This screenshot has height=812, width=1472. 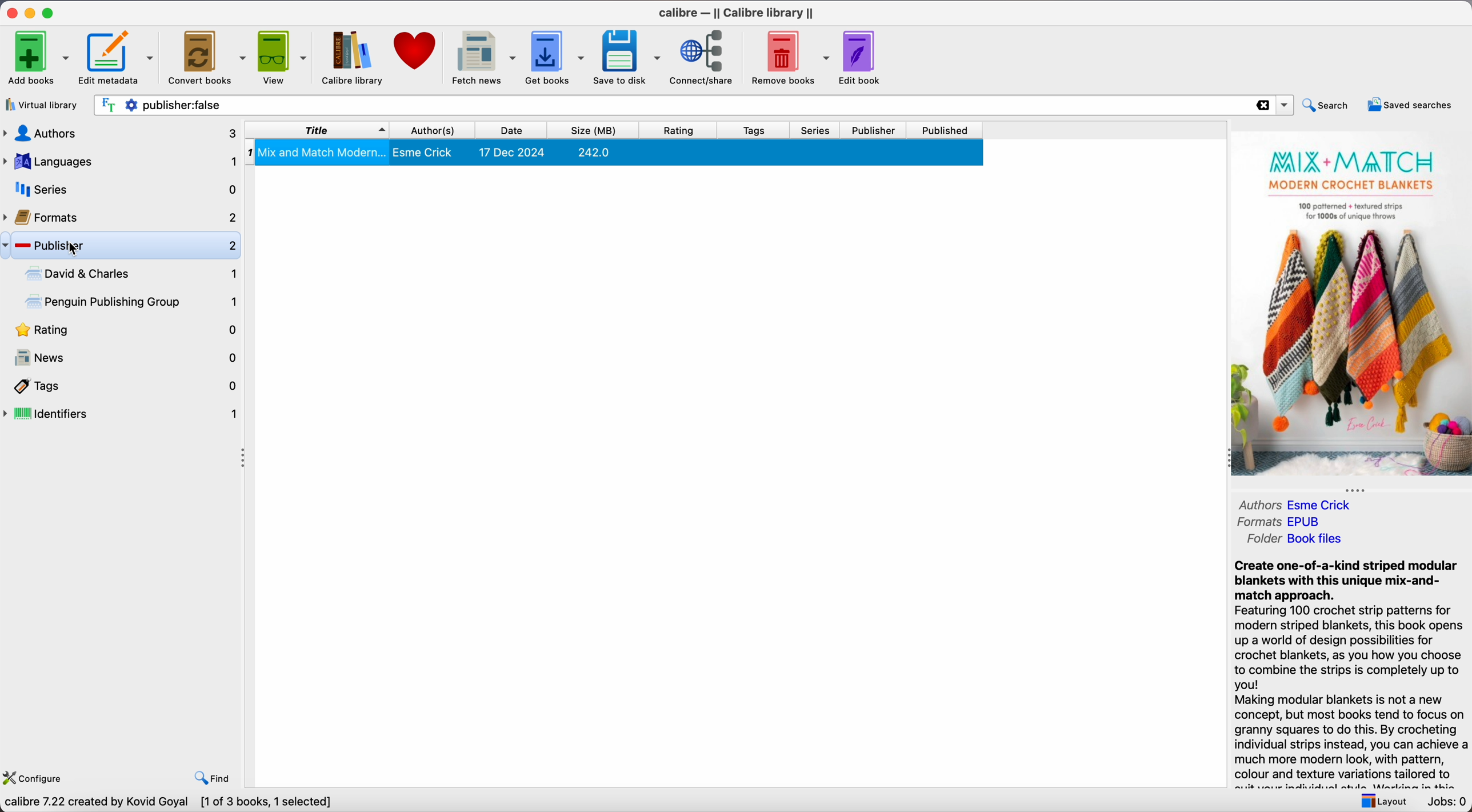 I want to click on formats EPUB, so click(x=1284, y=521).